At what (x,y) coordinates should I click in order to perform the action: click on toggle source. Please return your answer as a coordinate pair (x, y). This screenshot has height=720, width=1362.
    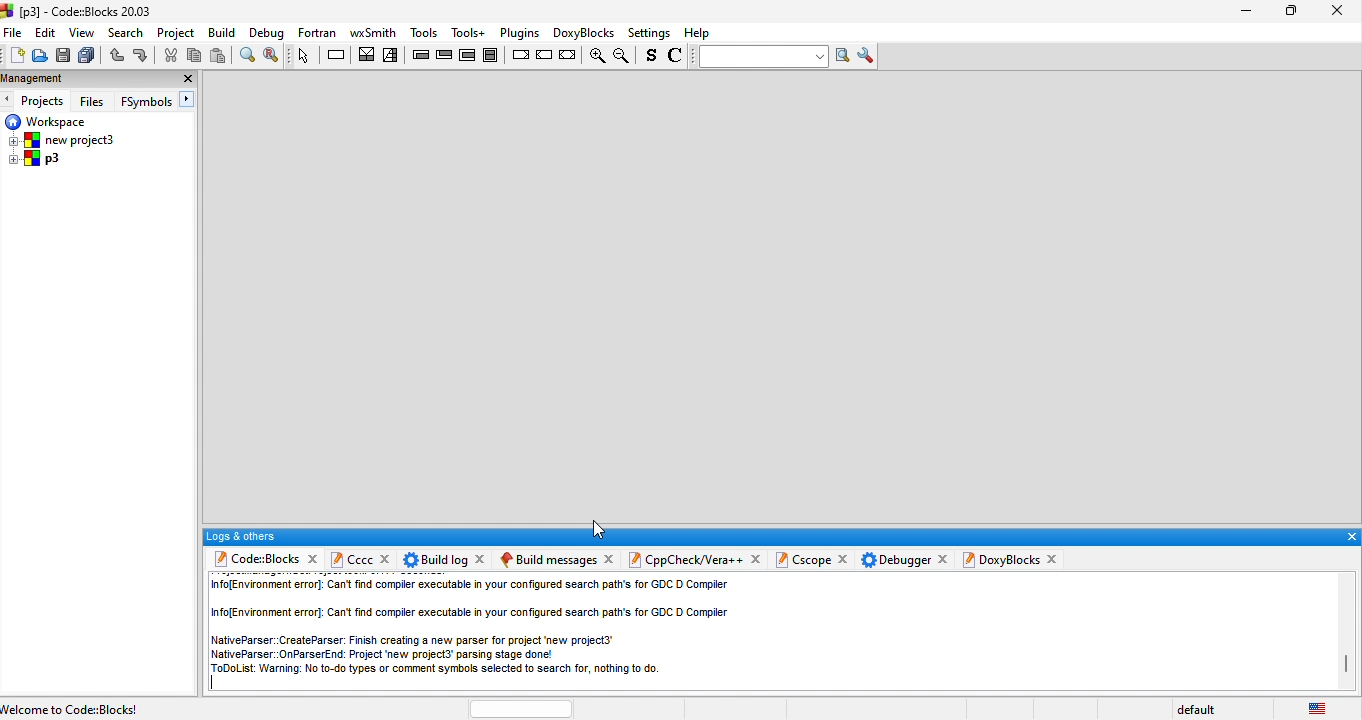
    Looking at the image, I should click on (652, 57).